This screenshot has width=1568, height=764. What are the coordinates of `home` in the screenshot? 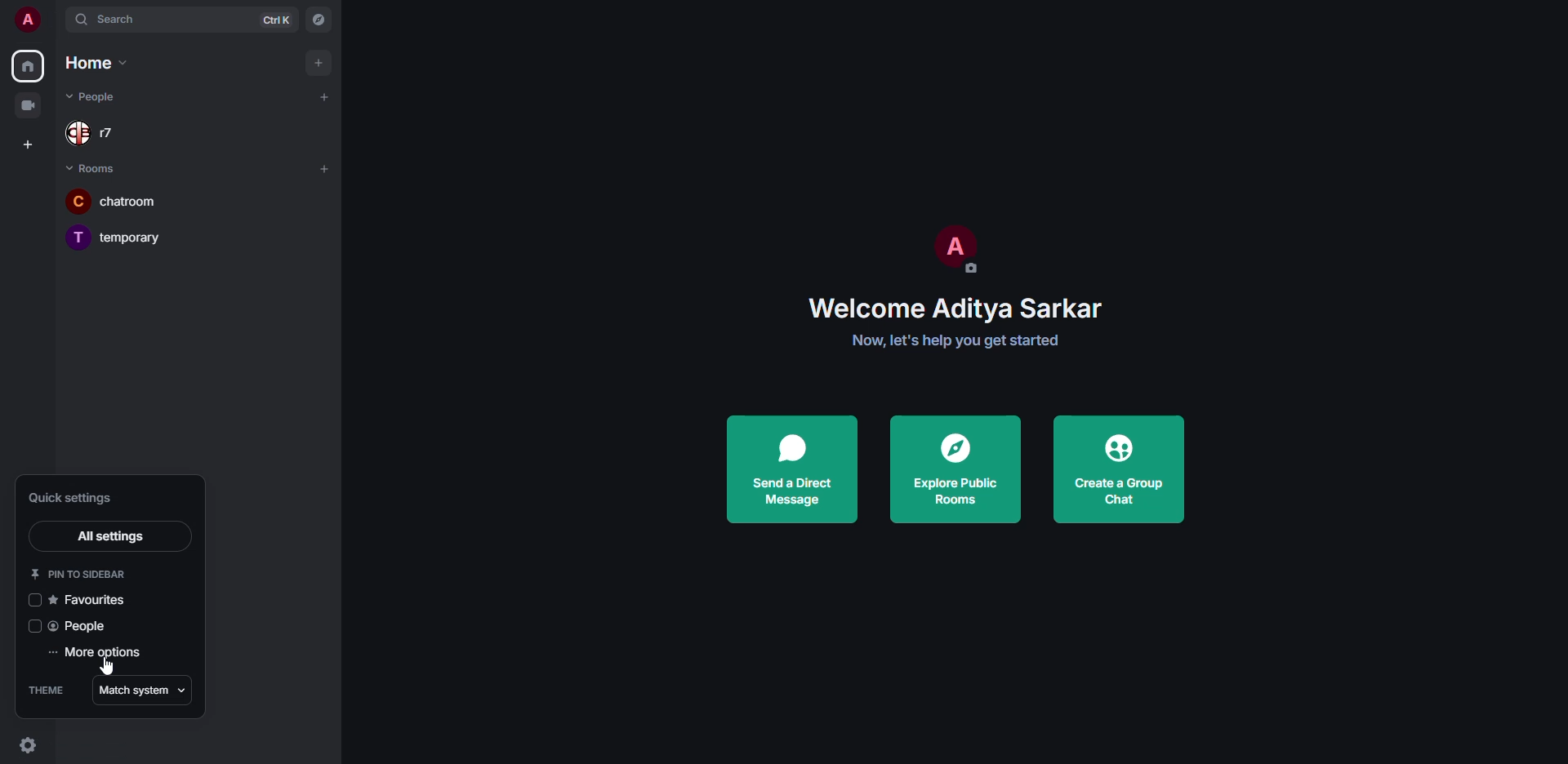 It's located at (30, 67).